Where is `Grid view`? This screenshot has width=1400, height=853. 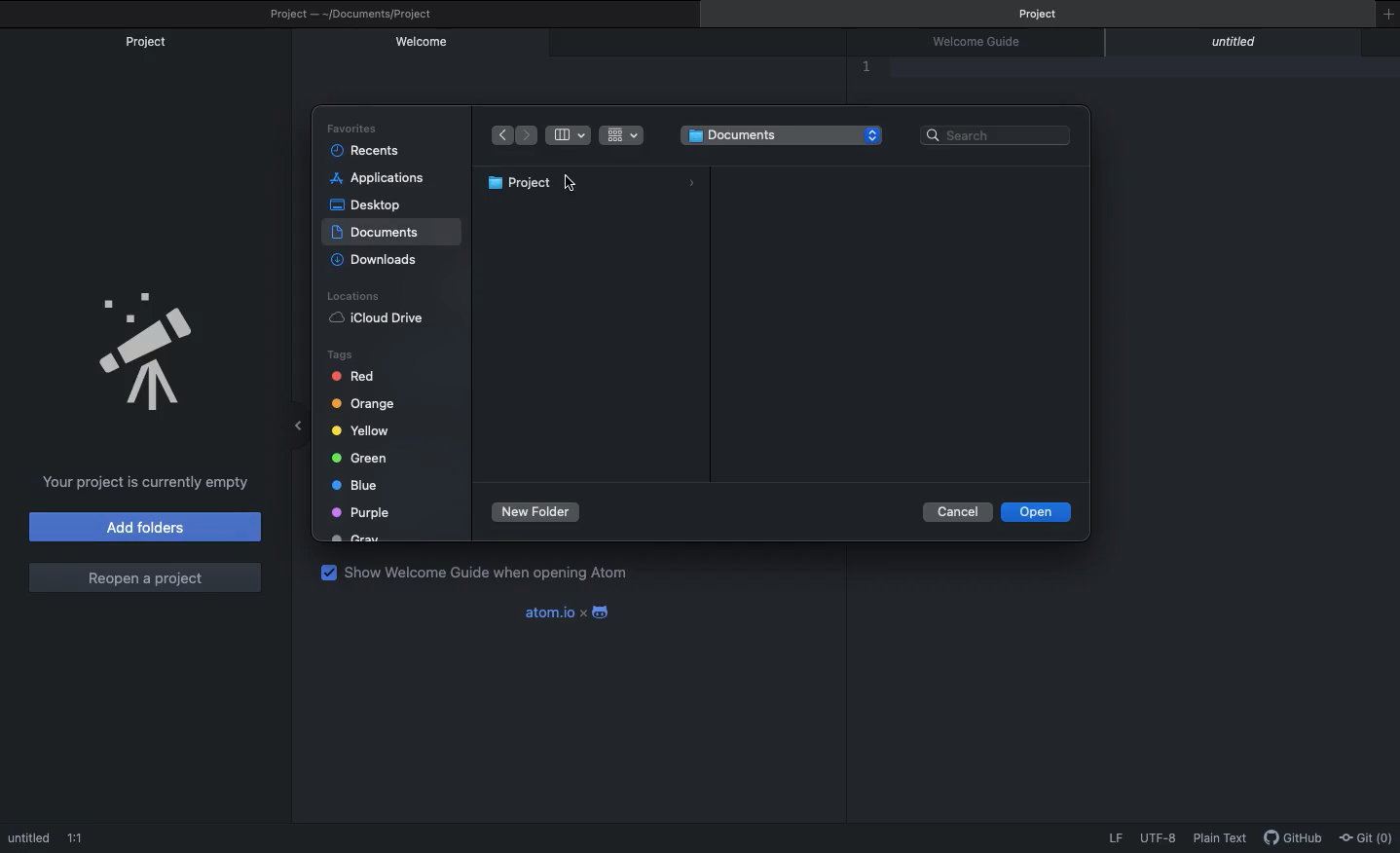
Grid view is located at coordinates (622, 136).